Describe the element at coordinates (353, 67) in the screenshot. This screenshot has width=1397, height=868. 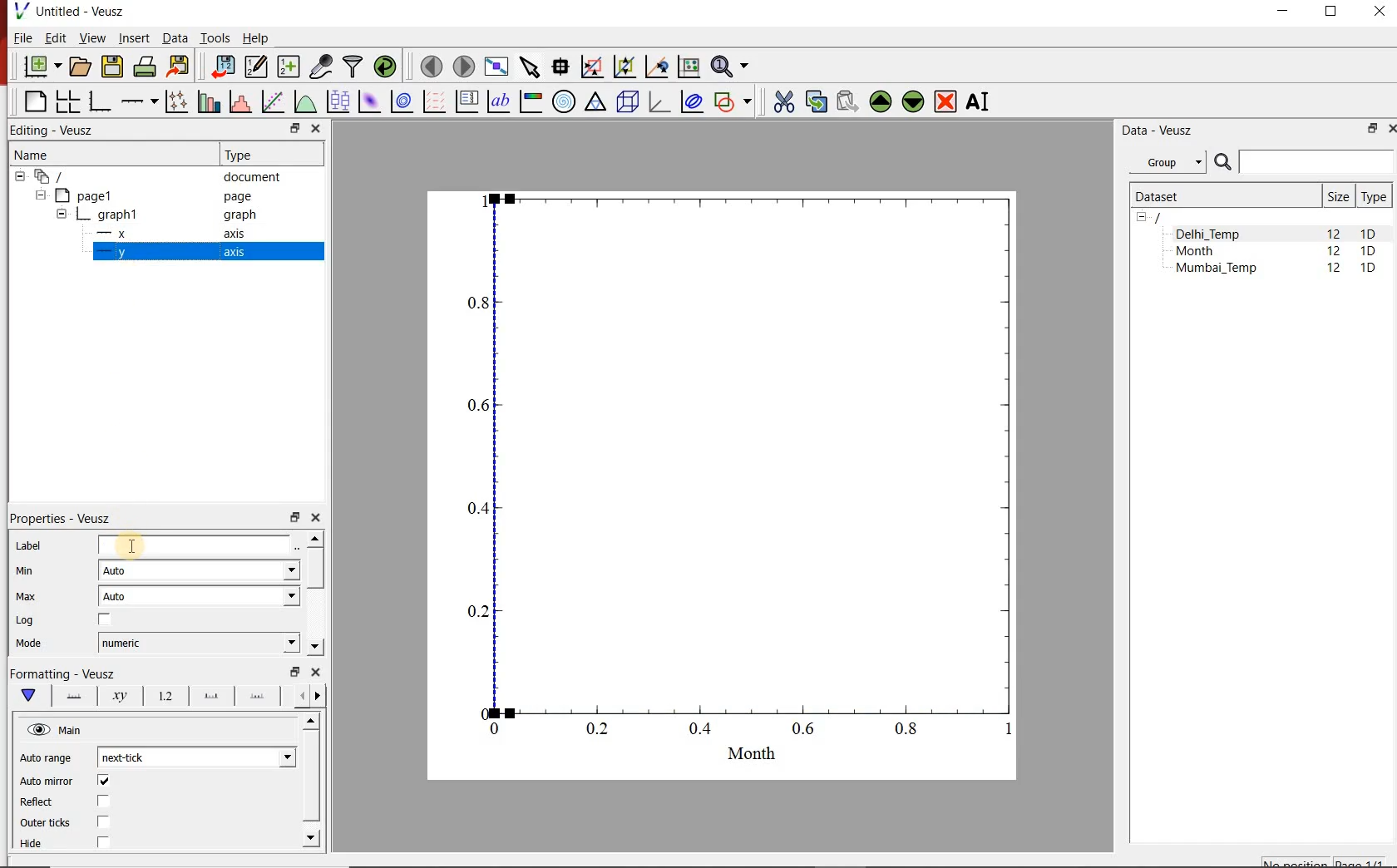
I see `filter data` at that location.